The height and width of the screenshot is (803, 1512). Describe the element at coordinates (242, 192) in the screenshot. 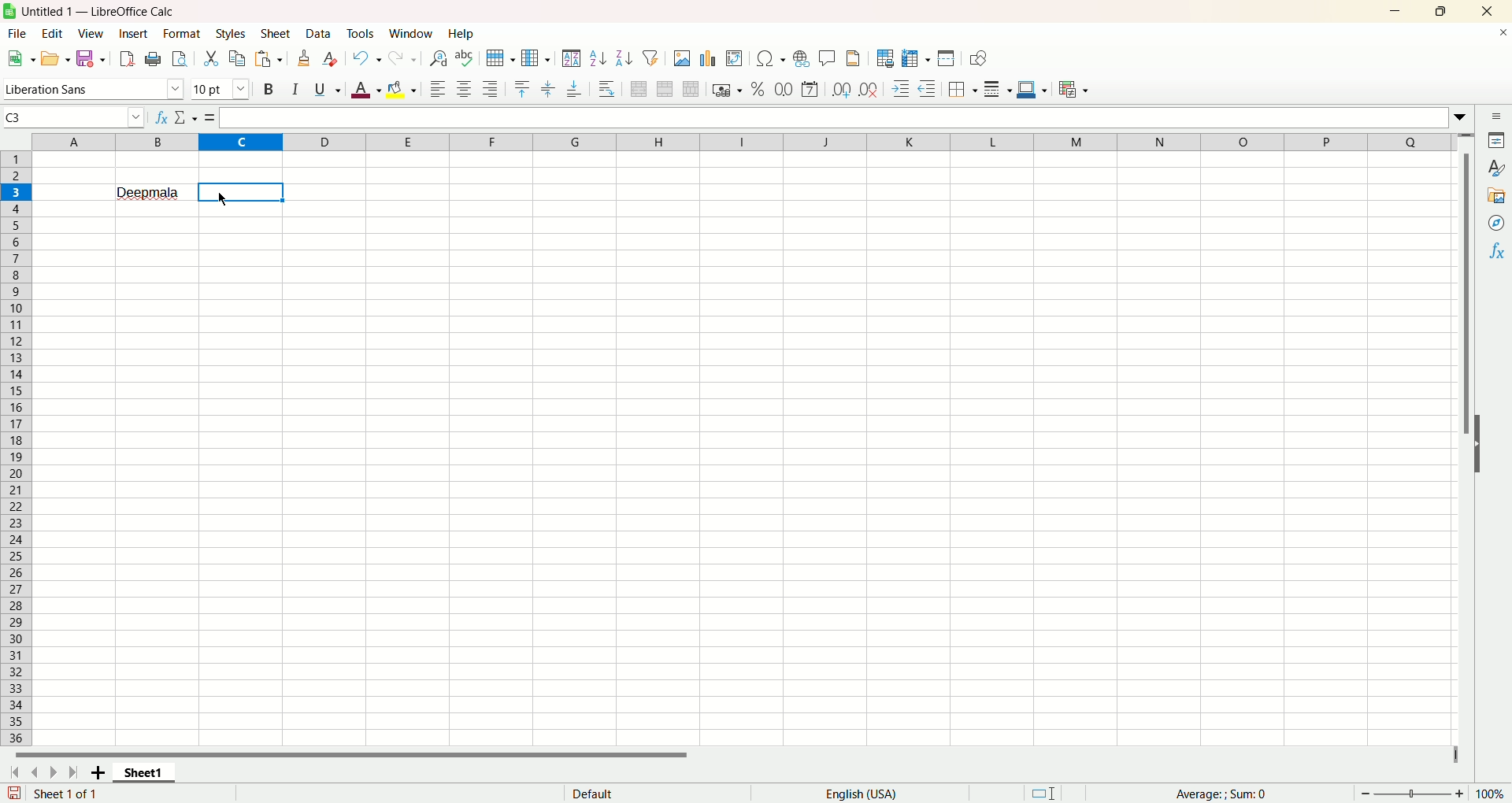

I see `active cell` at that location.